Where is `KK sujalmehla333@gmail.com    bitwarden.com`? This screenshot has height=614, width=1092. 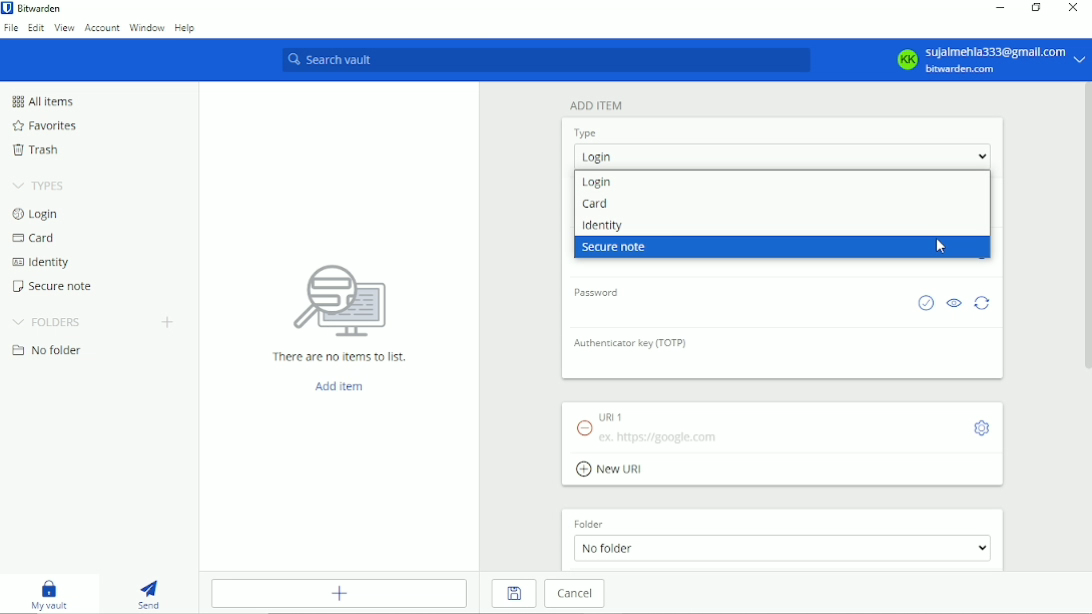 KK sujalmehla333@gmail.com    bitwarden.com is located at coordinates (989, 60).